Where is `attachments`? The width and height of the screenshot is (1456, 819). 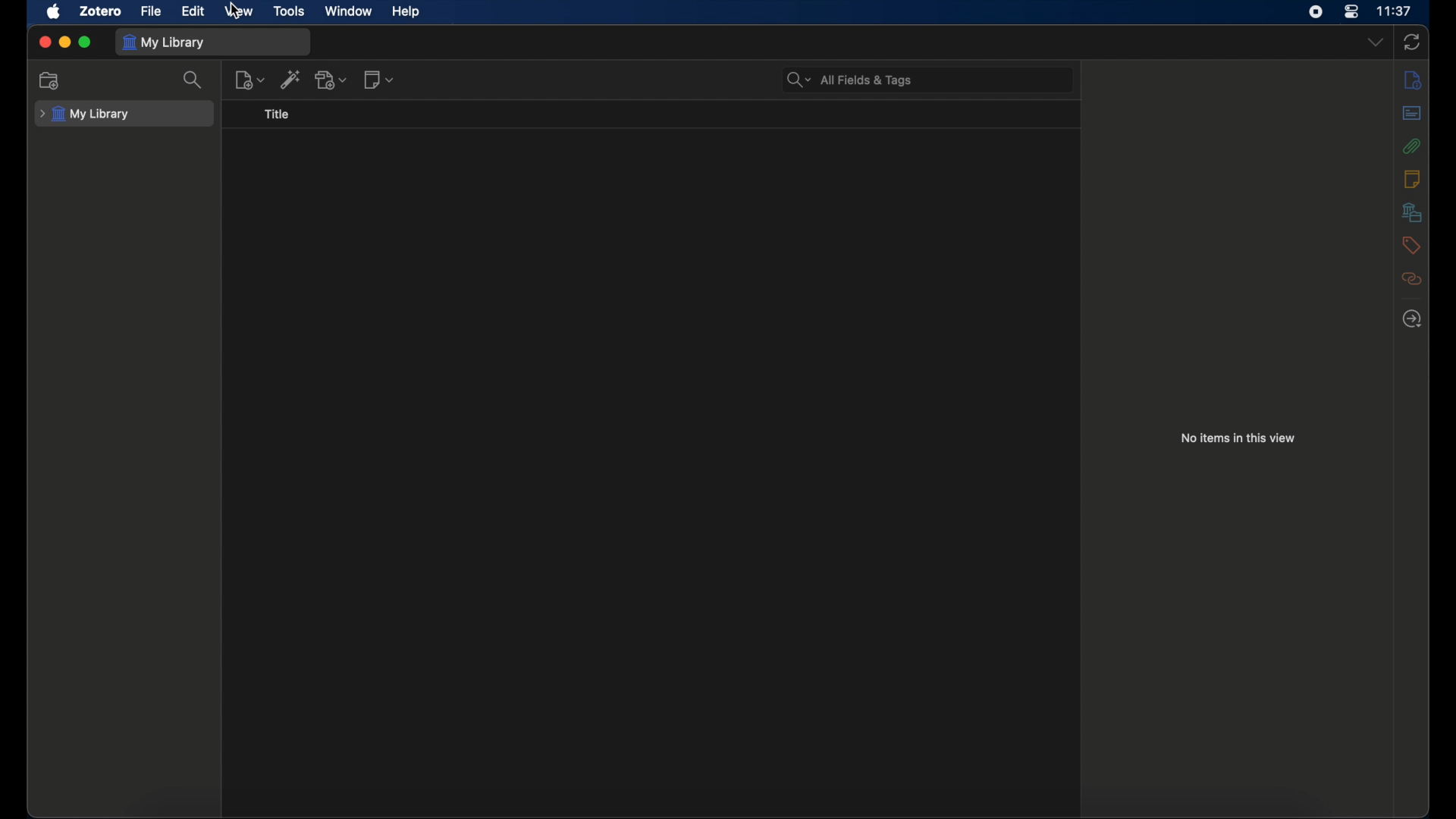
attachments is located at coordinates (1412, 146).